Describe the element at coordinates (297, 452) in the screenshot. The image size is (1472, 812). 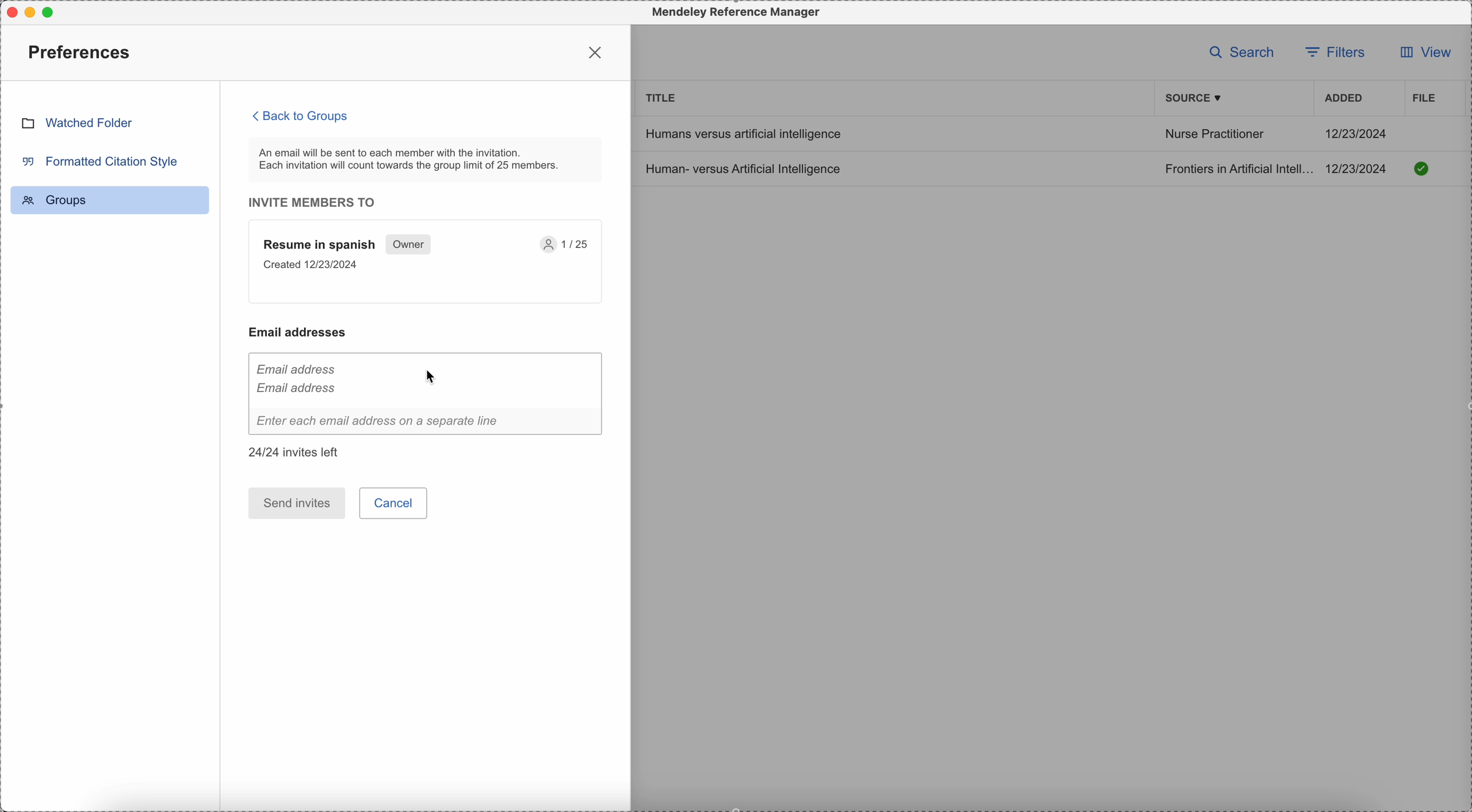
I see `24/24 invites left` at that location.